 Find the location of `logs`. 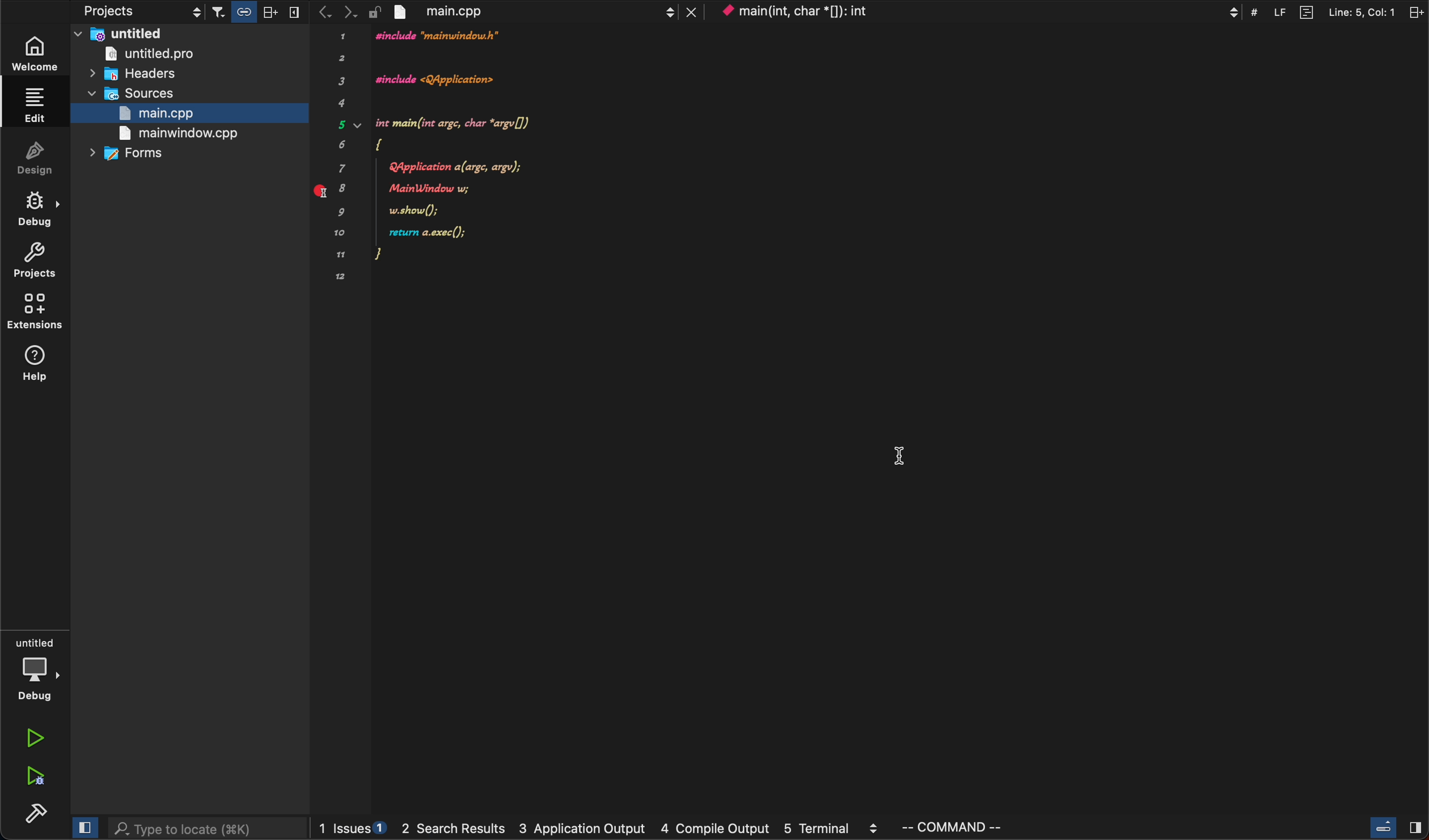

logs is located at coordinates (602, 828).